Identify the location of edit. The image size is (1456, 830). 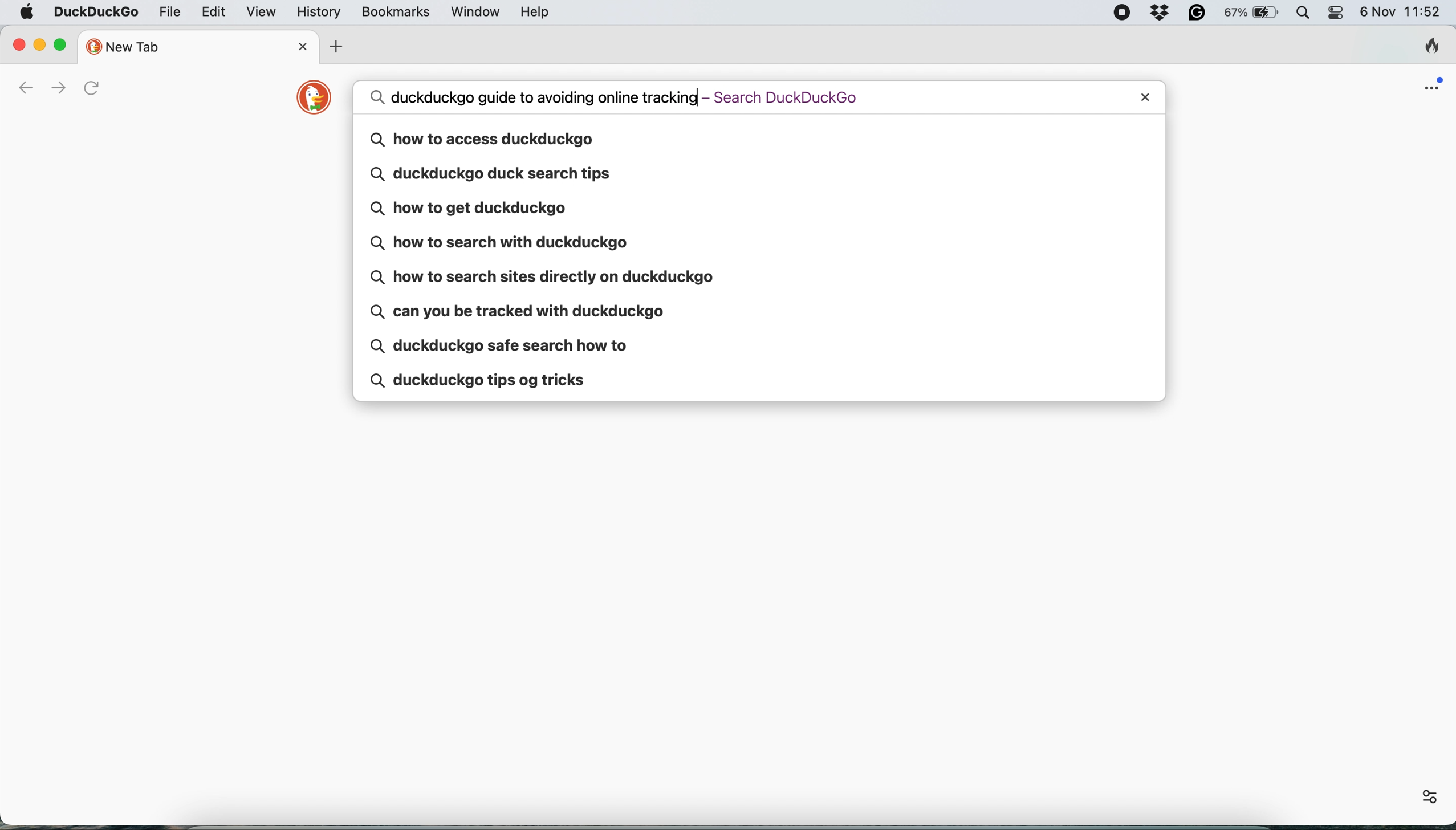
(212, 12).